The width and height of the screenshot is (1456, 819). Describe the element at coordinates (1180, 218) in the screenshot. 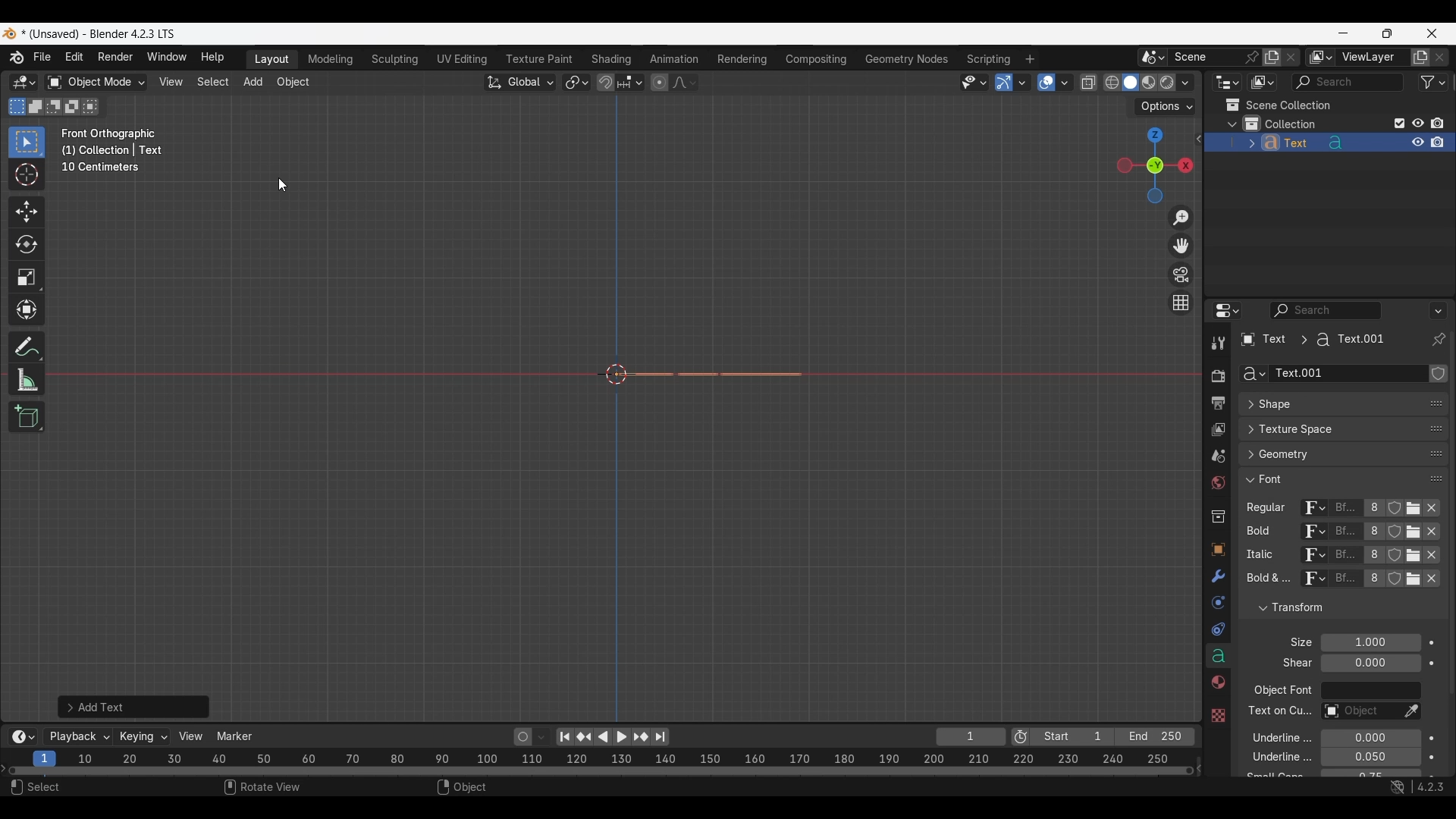

I see `Zoom in/out in the view` at that location.